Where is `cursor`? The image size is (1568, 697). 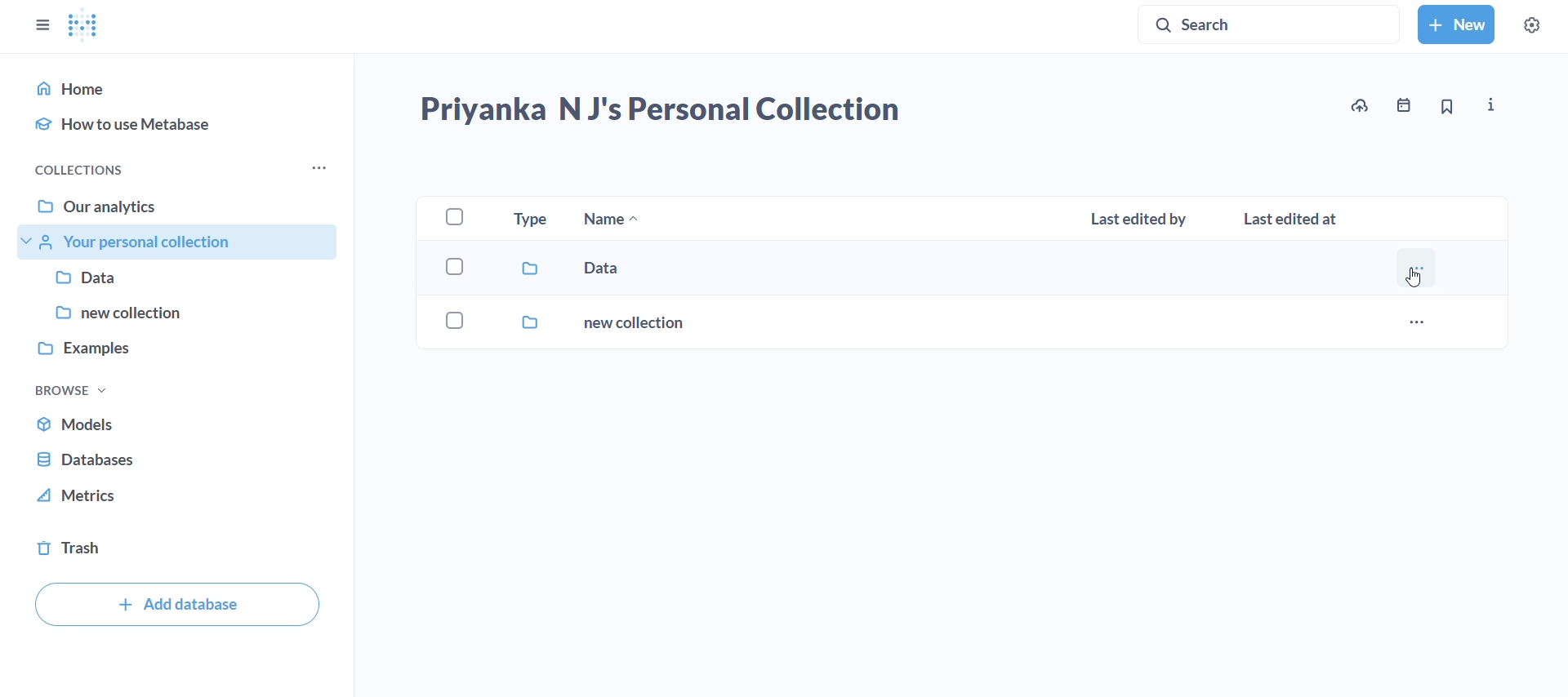
cursor is located at coordinates (1414, 277).